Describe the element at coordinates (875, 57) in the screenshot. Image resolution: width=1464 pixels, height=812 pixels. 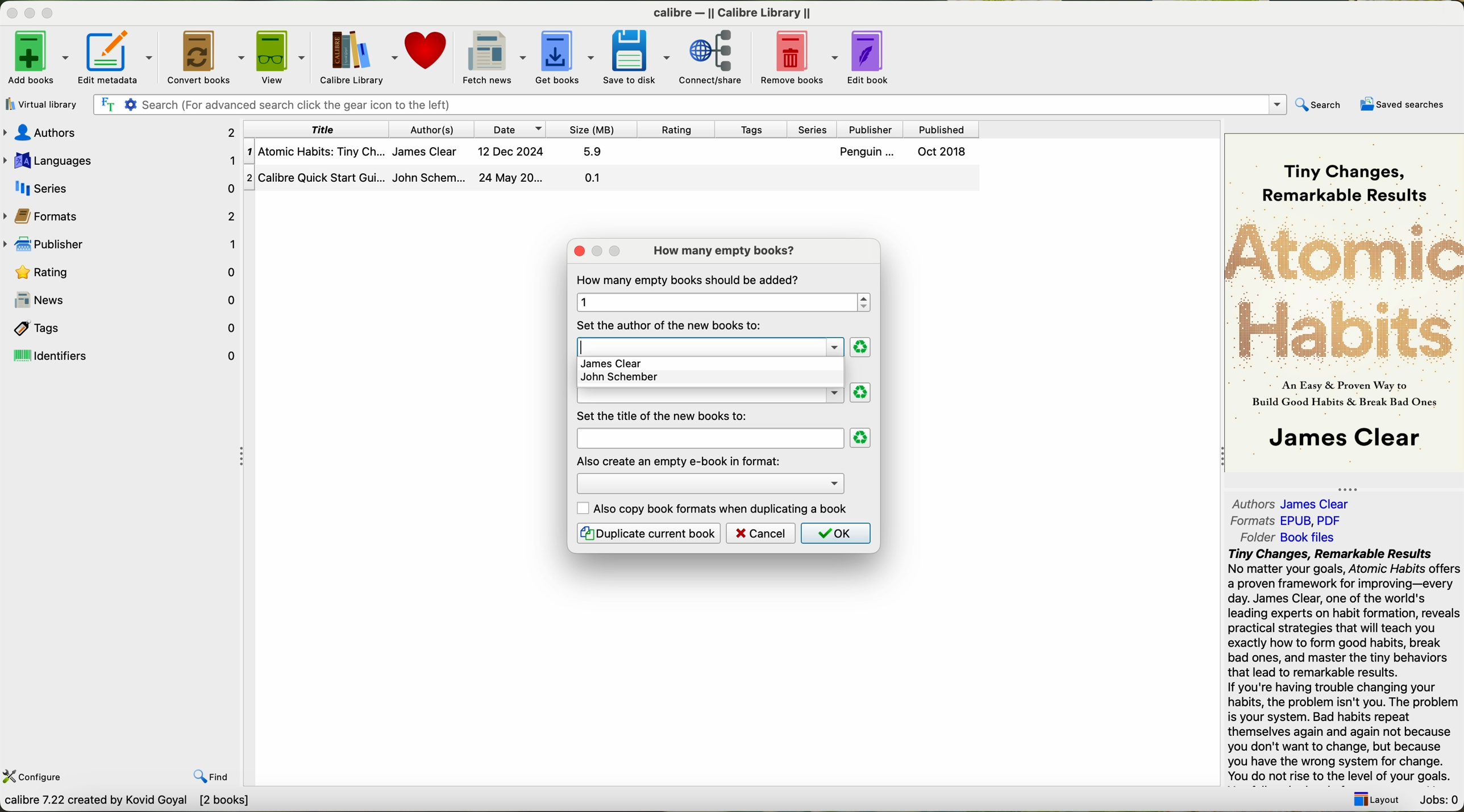
I see `edit book` at that location.